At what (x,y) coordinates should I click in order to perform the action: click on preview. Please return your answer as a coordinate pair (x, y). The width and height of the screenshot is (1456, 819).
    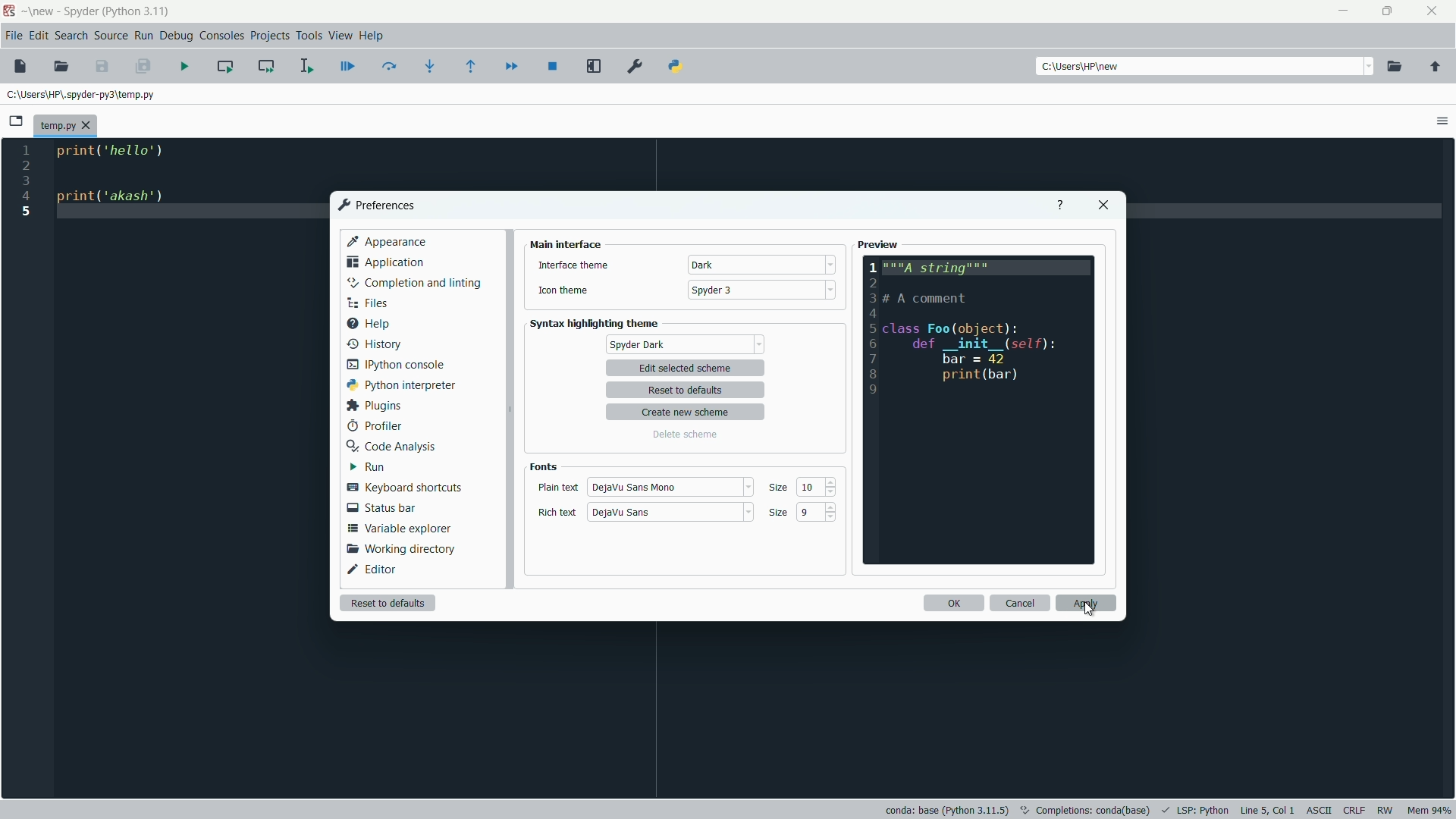
    Looking at the image, I should click on (879, 245).